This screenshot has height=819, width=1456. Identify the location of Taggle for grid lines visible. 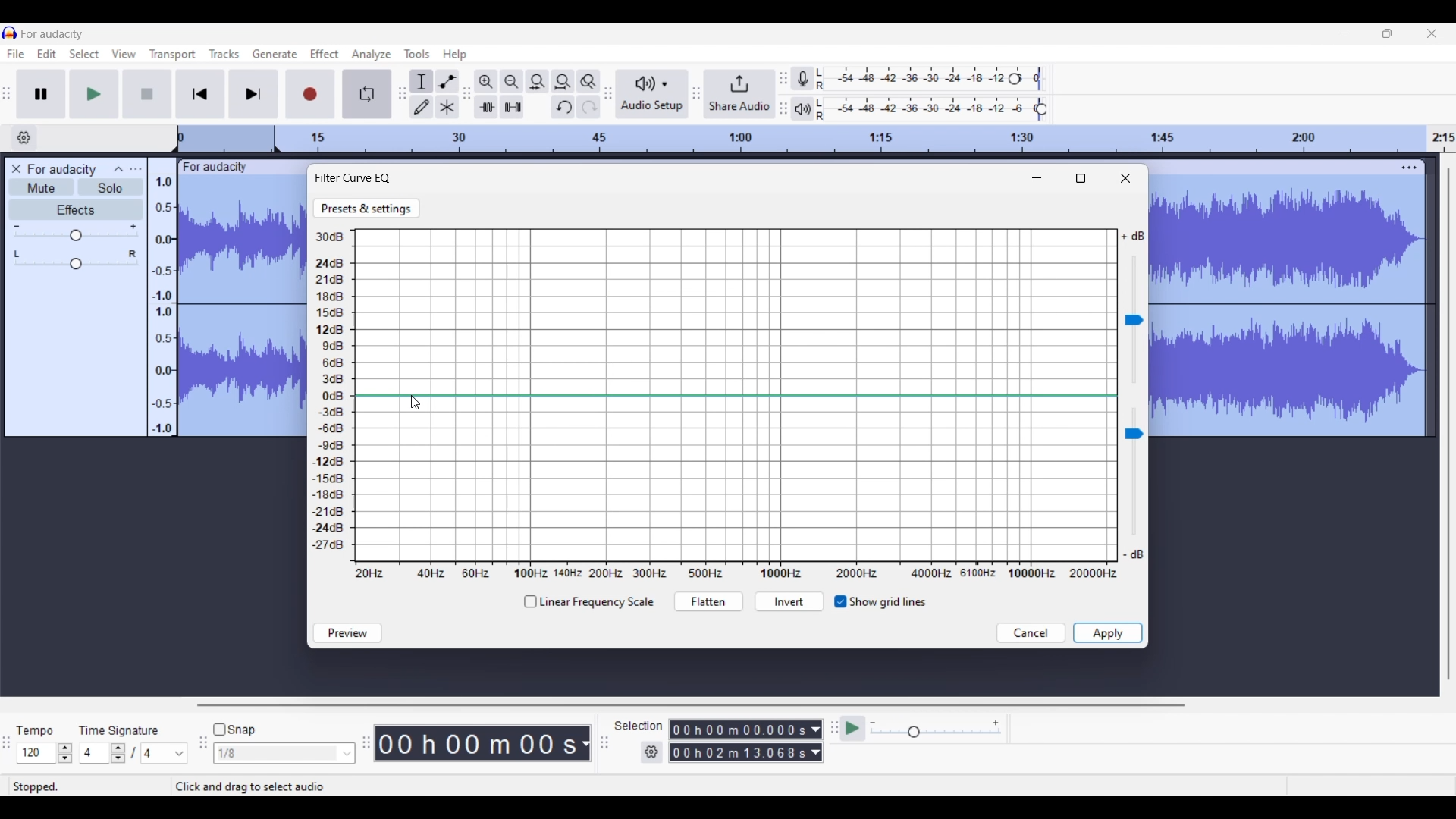
(880, 602).